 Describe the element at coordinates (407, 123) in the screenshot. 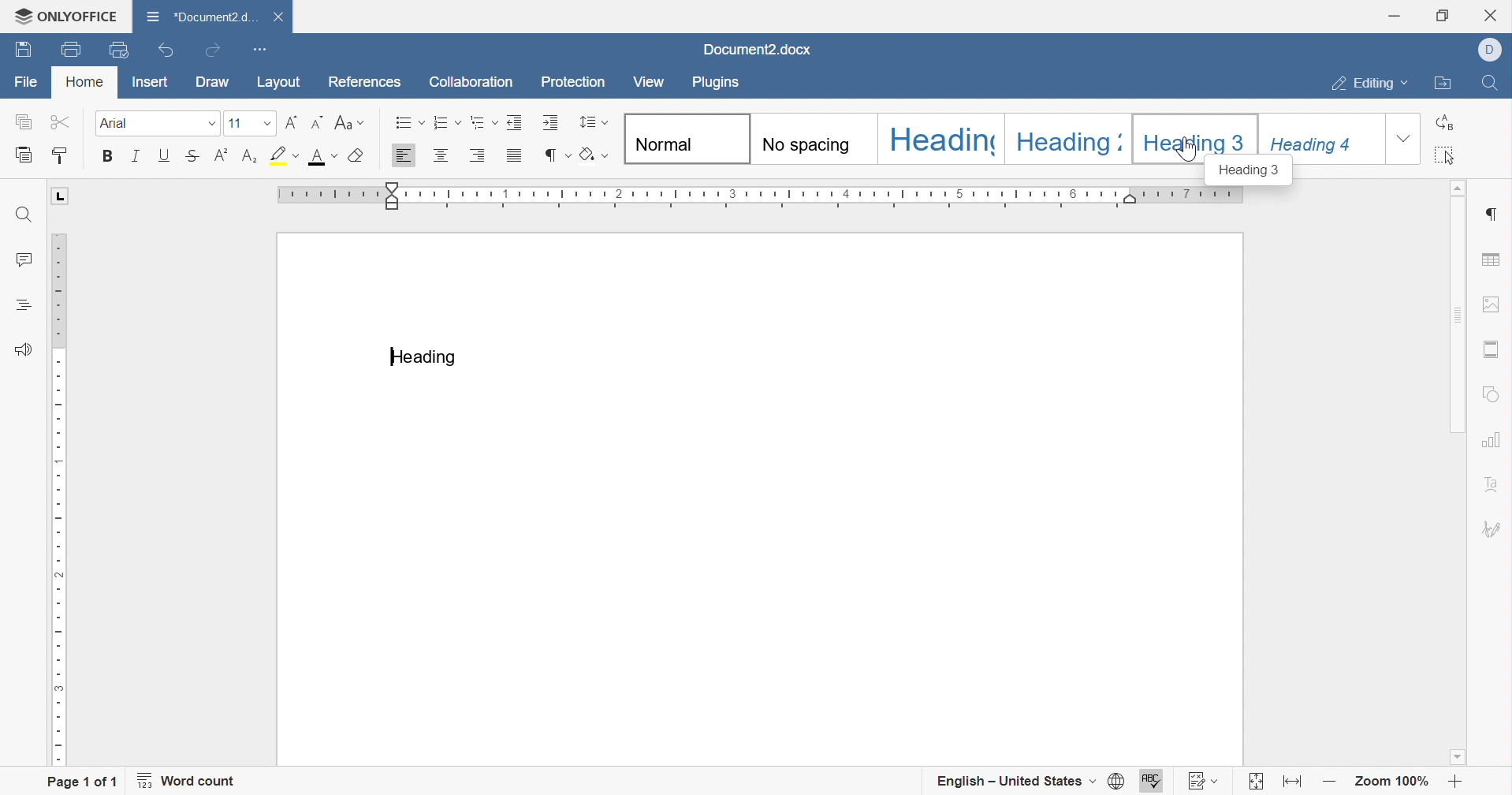

I see `Bullets` at that location.